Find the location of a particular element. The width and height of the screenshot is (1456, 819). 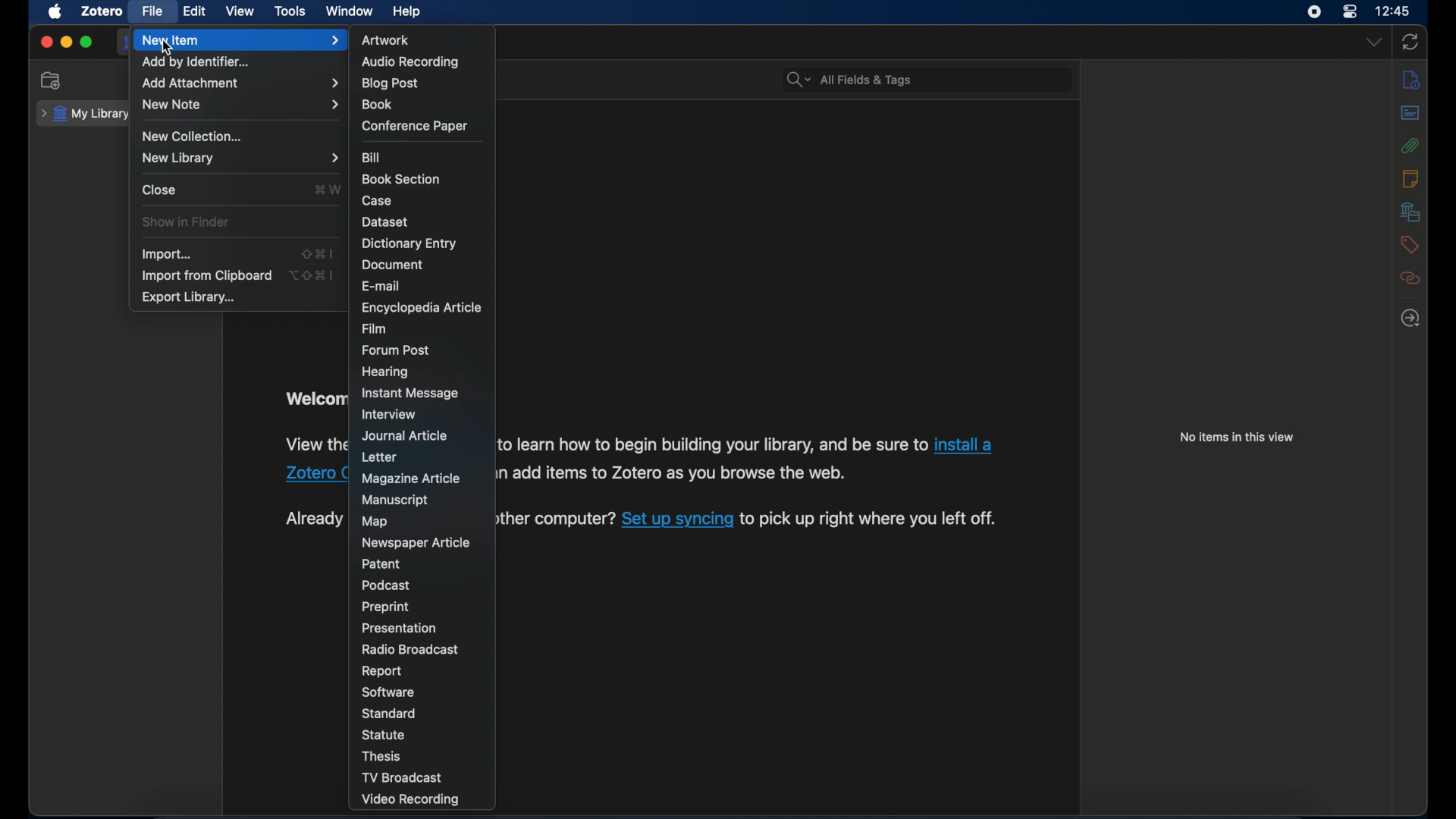

instant message is located at coordinates (409, 393).